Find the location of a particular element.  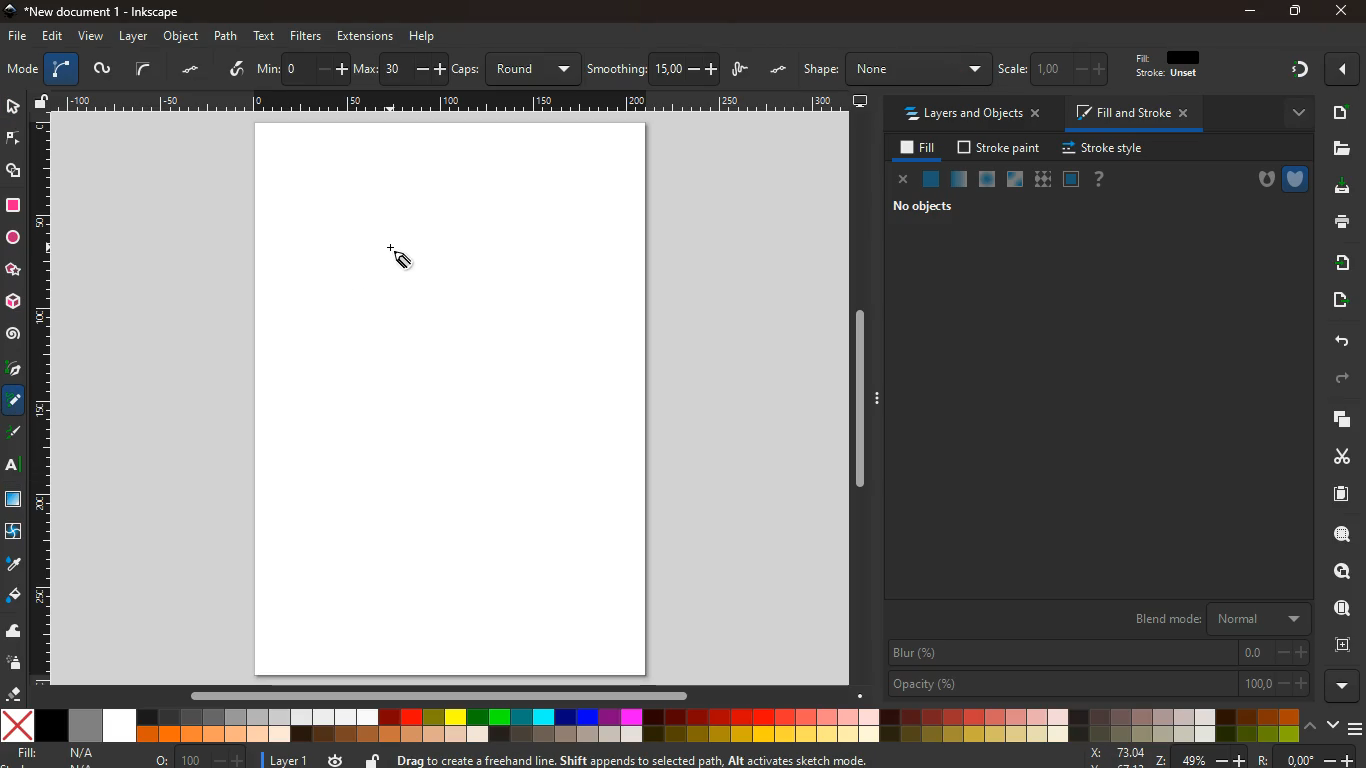

screen is located at coordinates (458, 400).